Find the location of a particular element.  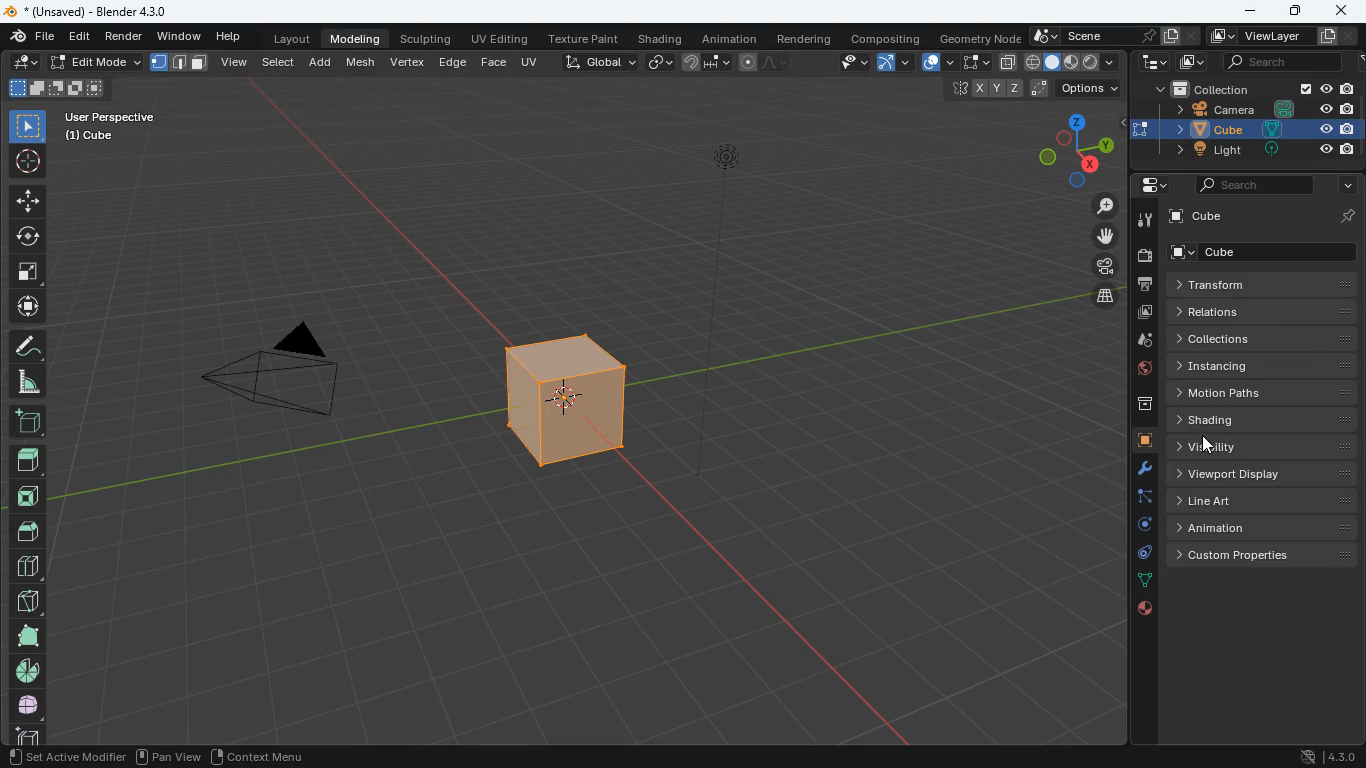

window is located at coordinates (177, 37).